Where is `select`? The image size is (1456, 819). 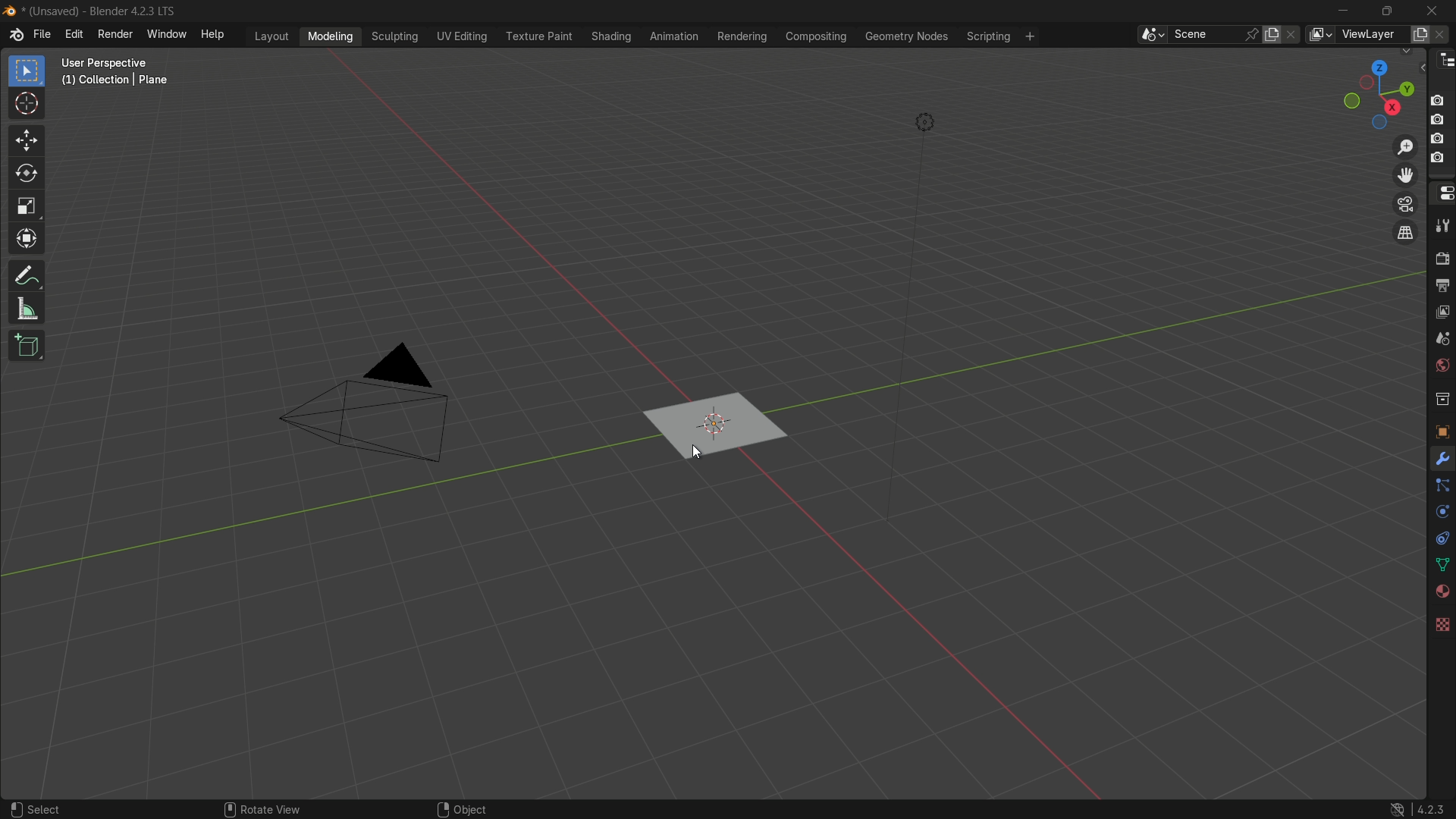 select is located at coordinates (38, 805).